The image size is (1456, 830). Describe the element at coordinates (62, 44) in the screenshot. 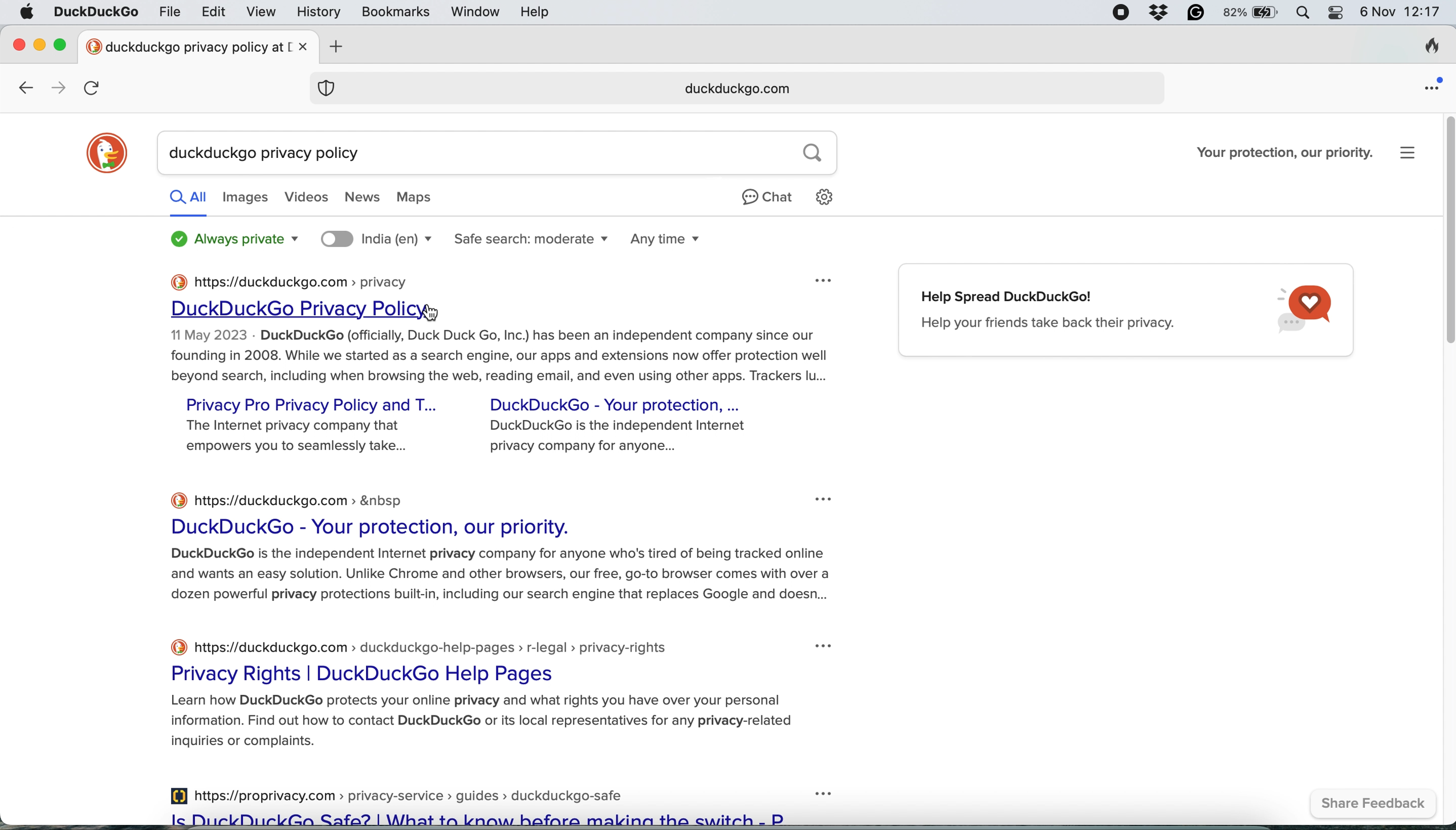

I see `maximise` at that location.